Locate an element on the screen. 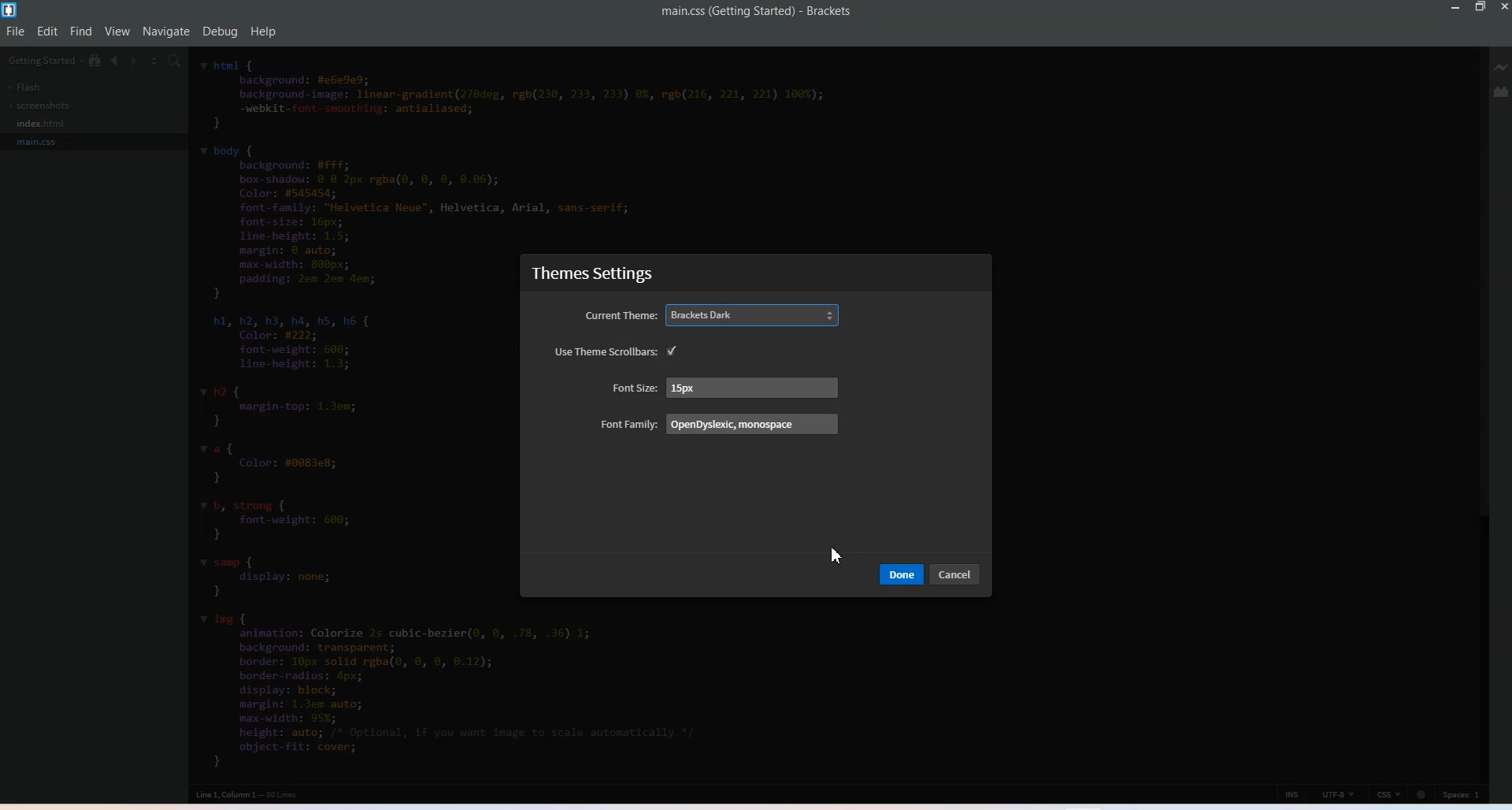  UTF-8 is located at coordinates (1339, 793).